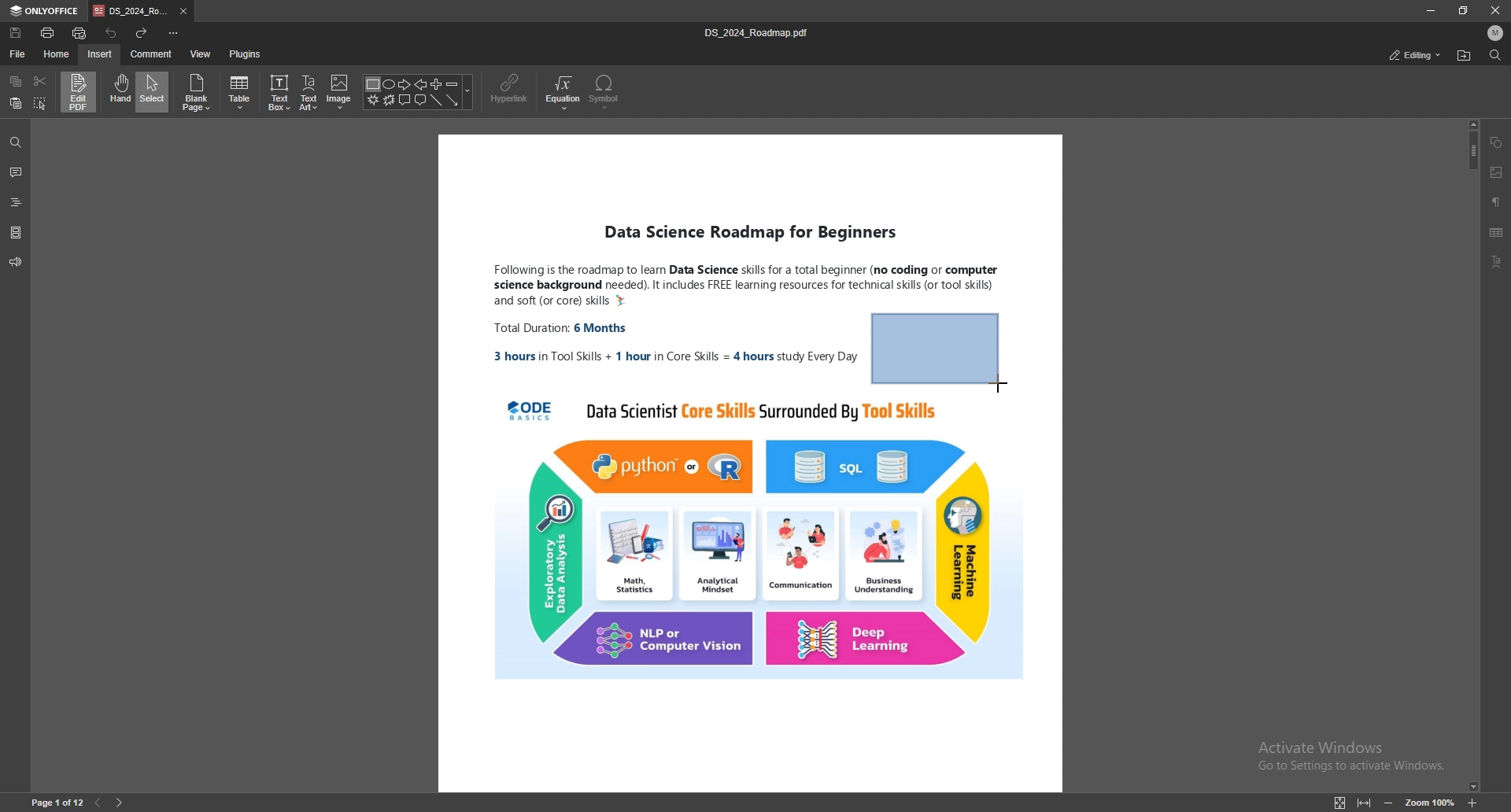 The width and height of the screenshot is (1511, 812). What do you see at coordinates (17, 33) in the screenshot?
I see `save` at bounding box center [17, 33].